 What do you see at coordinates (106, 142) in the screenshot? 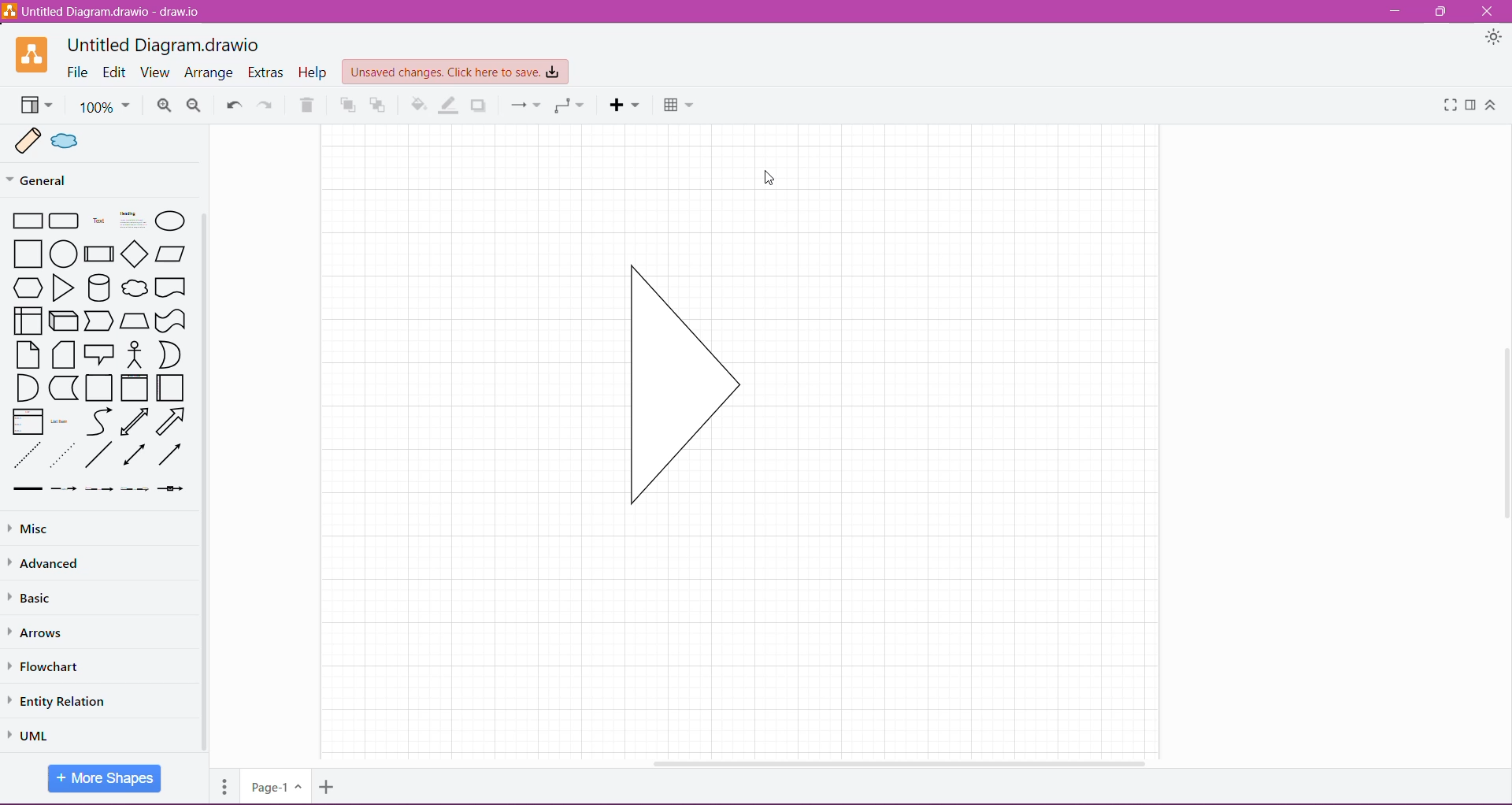
I see `Sample shapes in Scratchpad` at bounding box center [106, 142].